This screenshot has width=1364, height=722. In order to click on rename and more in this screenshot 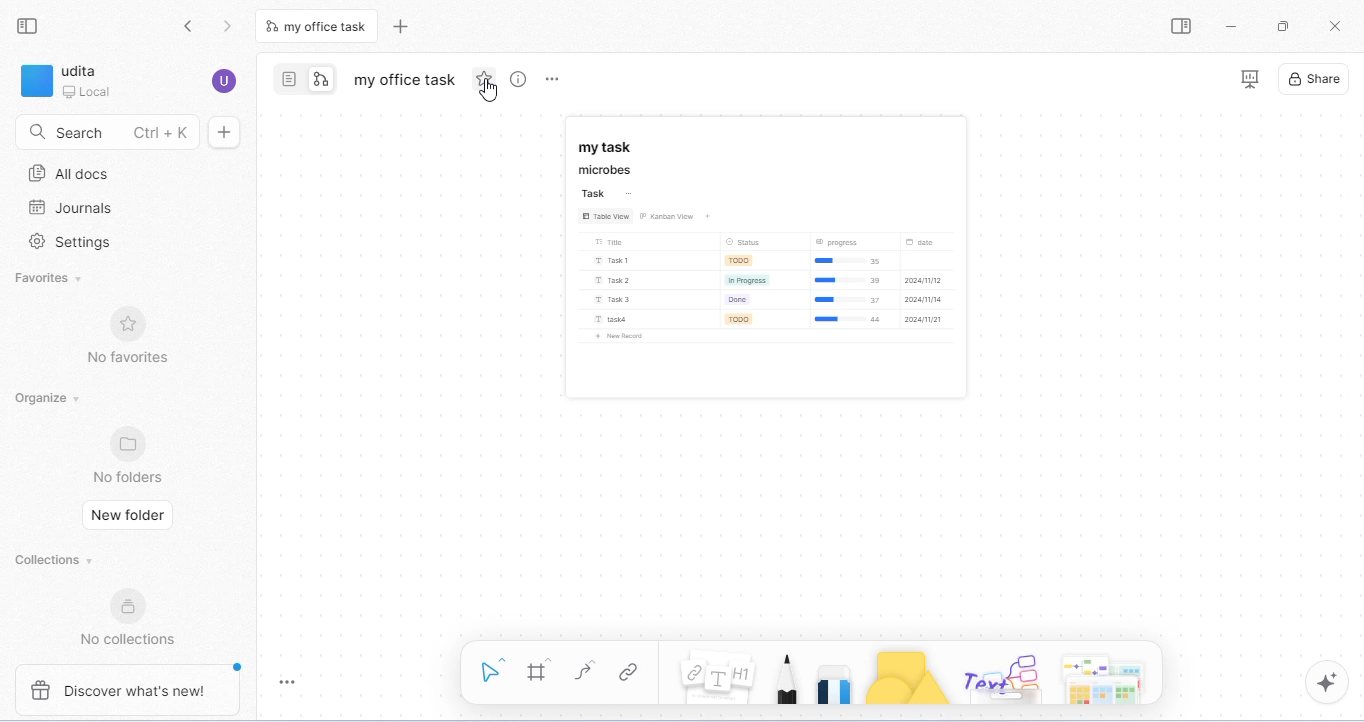, I will do `click(553, 80)`.